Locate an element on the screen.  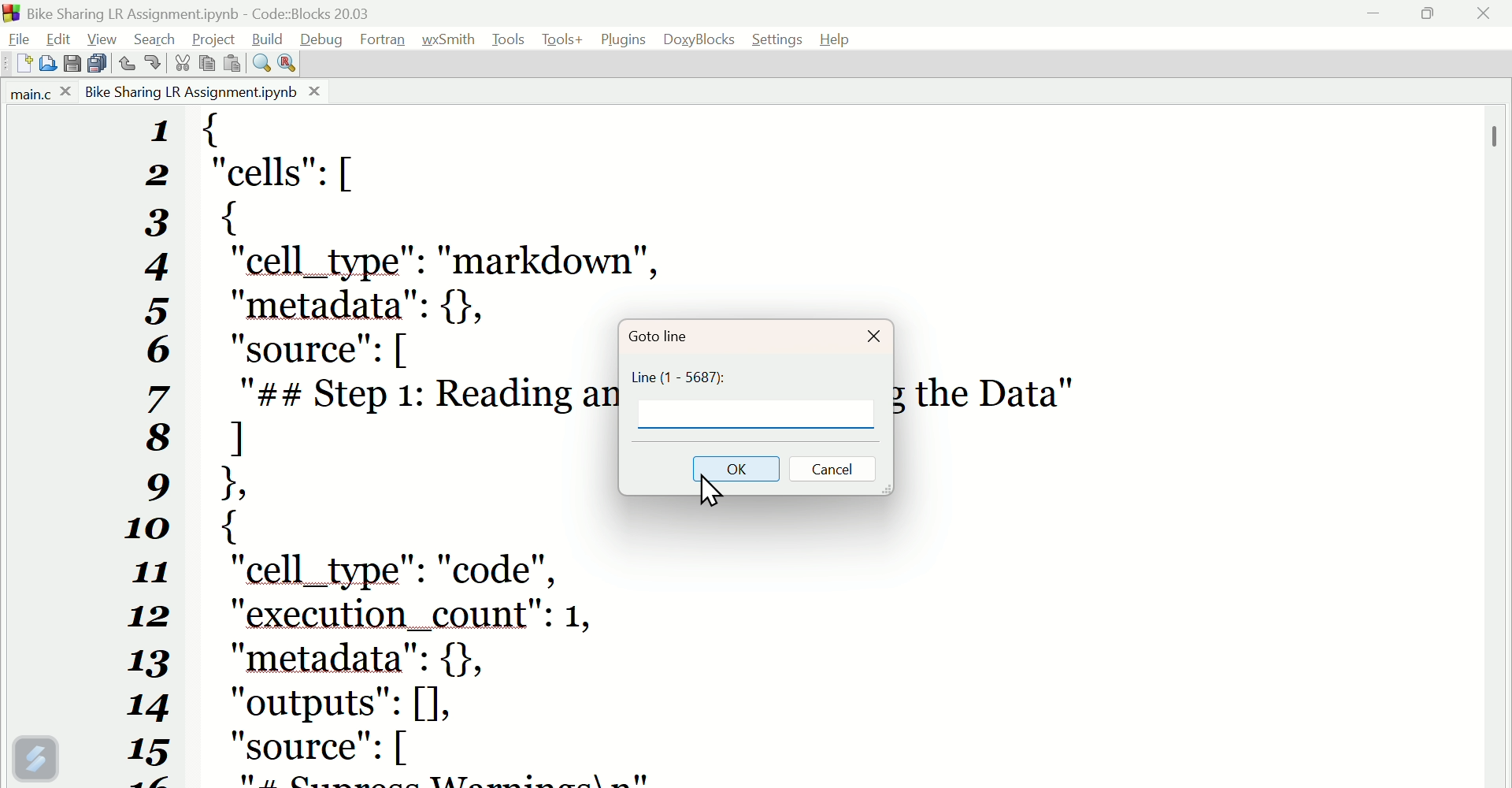
Bike sharing LR assignment.Ipynb is located at coordinates (202, 91).